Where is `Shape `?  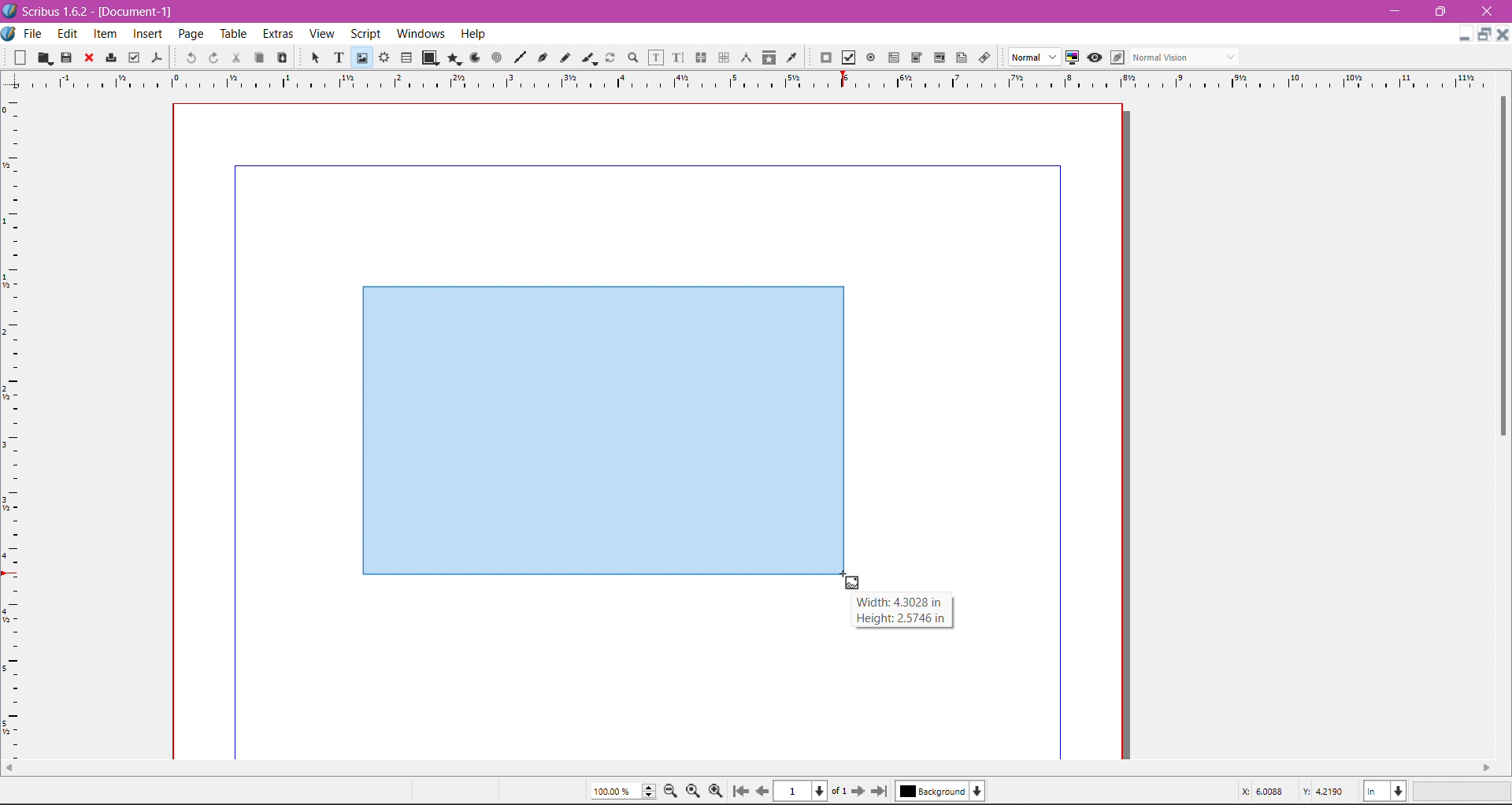 Shape  is located at coordinates (429, 58).